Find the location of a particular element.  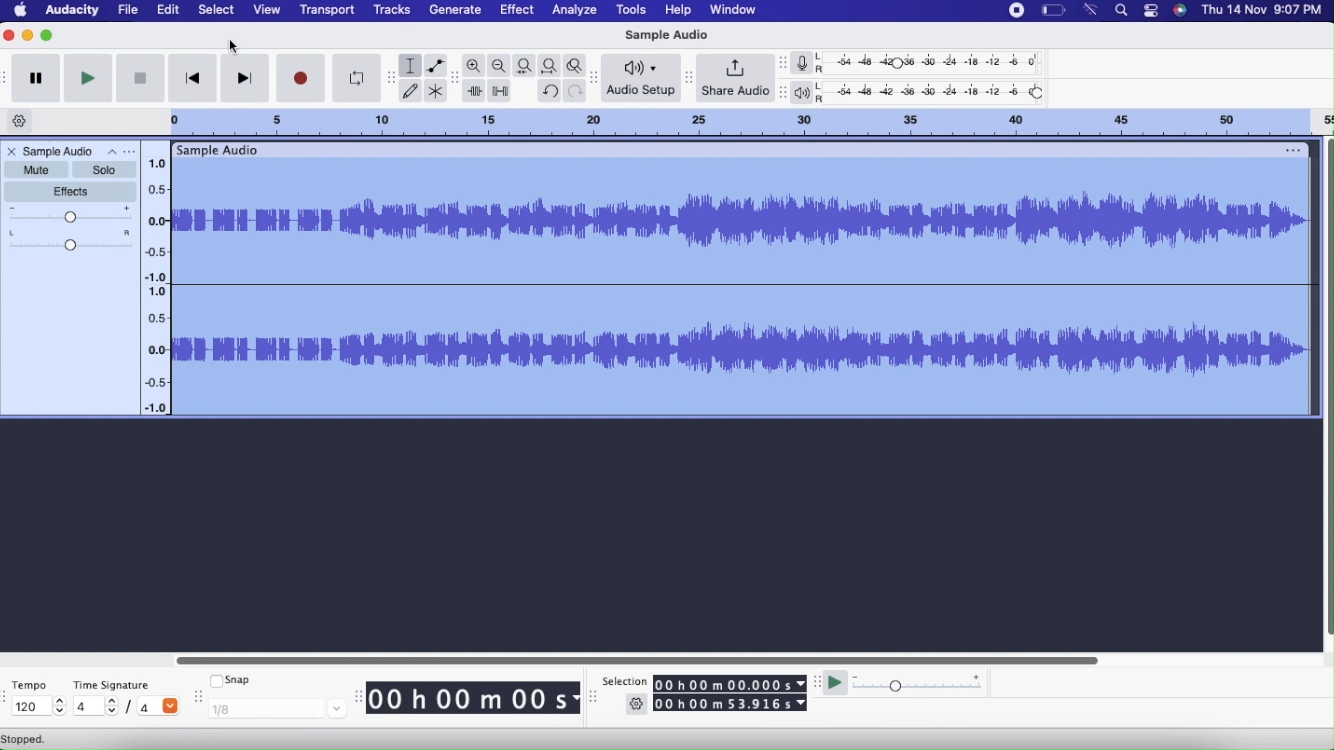

Record meter is located at coordinates (808, 62).